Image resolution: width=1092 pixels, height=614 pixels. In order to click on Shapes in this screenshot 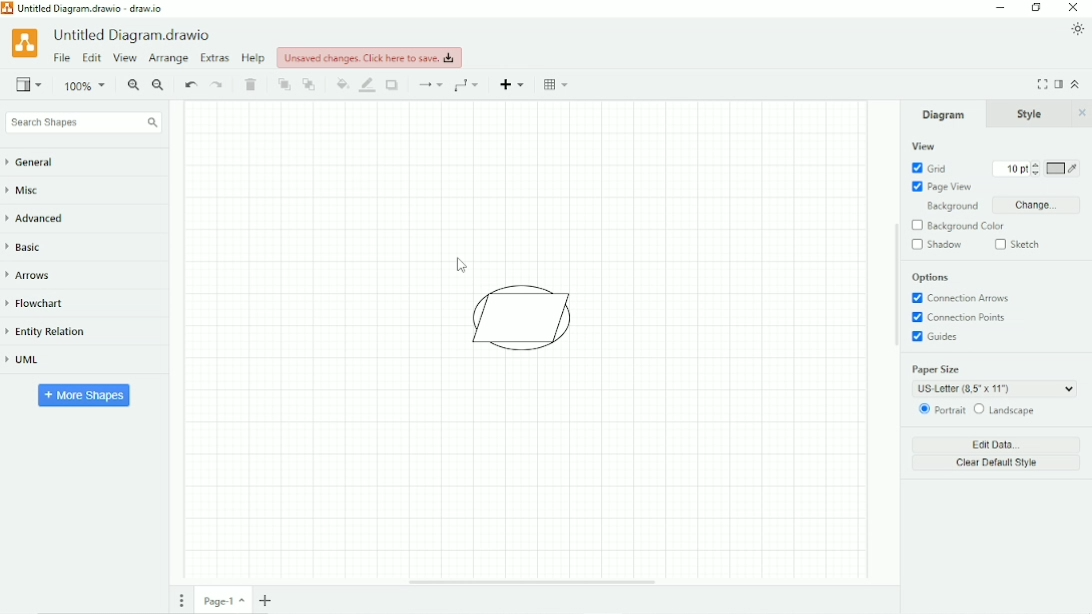, I will do `click(527, 318)`.